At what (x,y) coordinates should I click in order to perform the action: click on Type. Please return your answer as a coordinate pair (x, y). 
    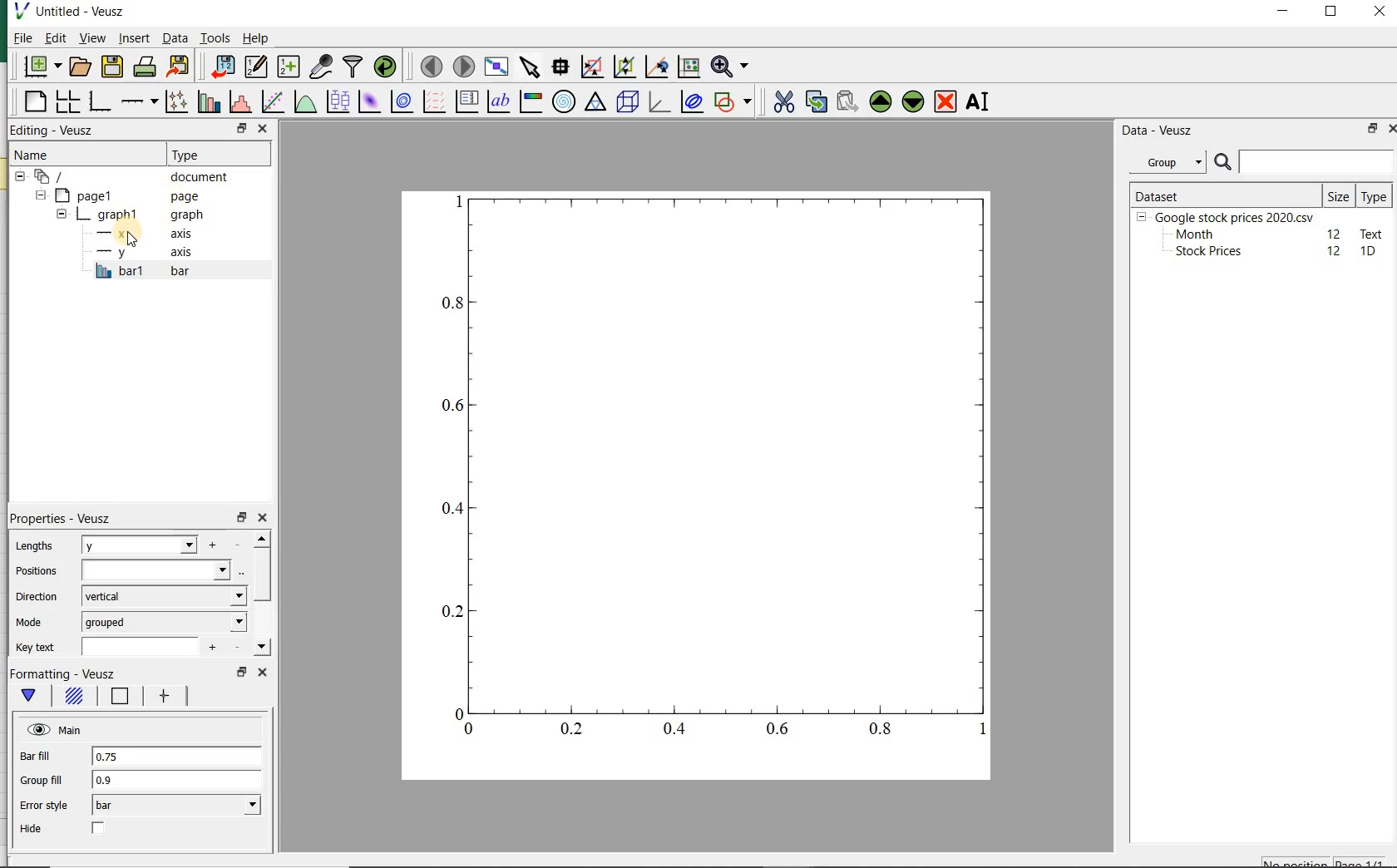
    Looking at the image, I should click on (1374, 195).